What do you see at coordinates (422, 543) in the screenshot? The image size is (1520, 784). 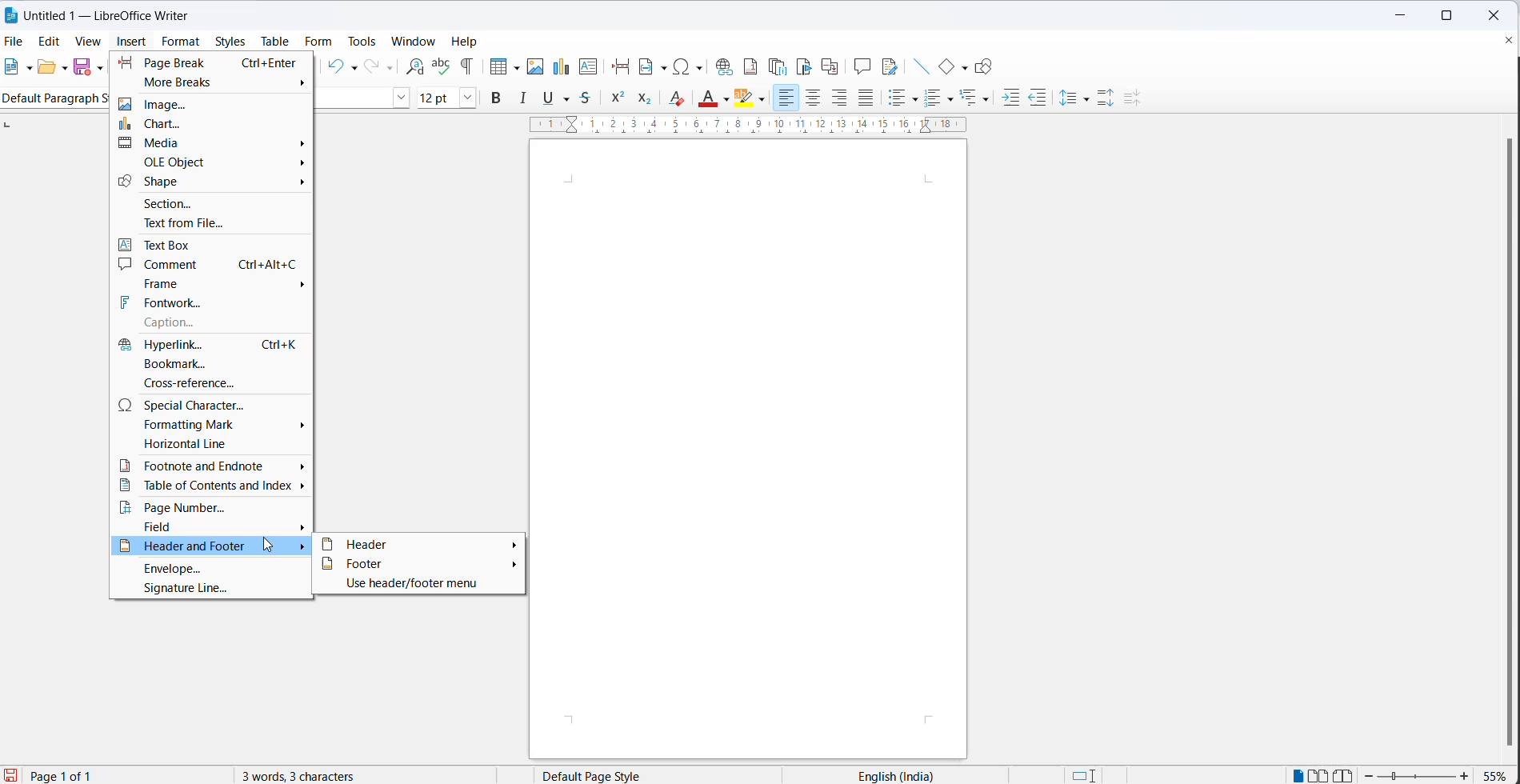 I see `header` at bounding box center [422, 543].